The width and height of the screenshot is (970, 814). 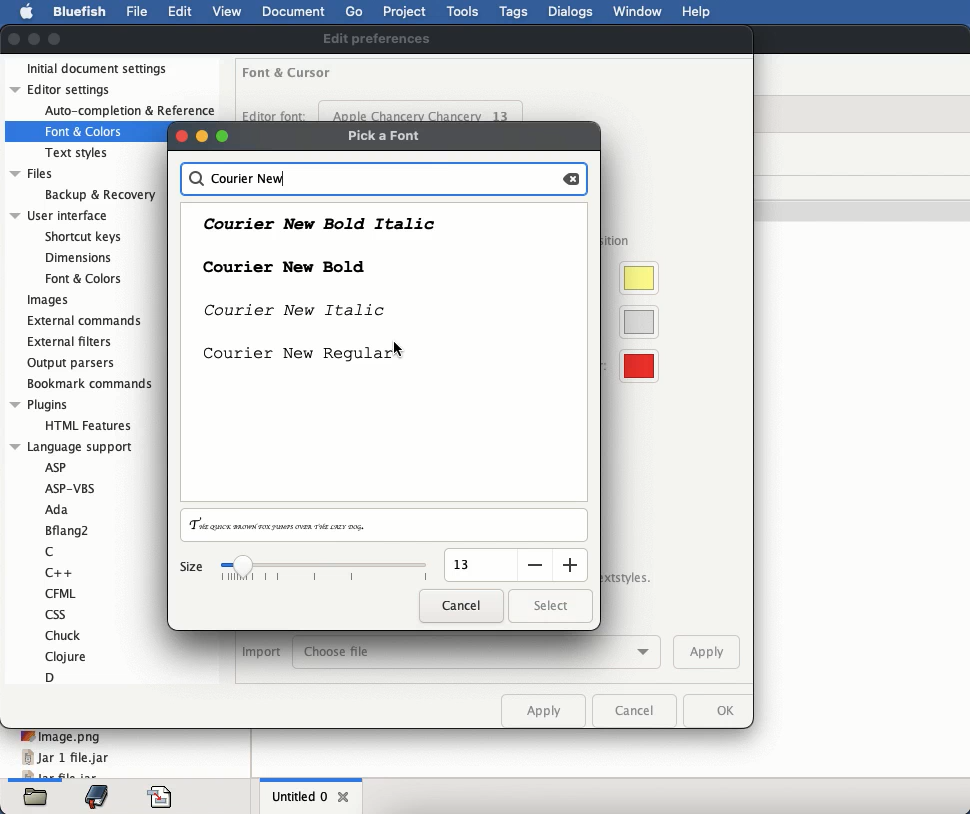 What do you see at coordinates (632, 710) in the screenshot?
I see `cancel` at bounding box center [632, 710].